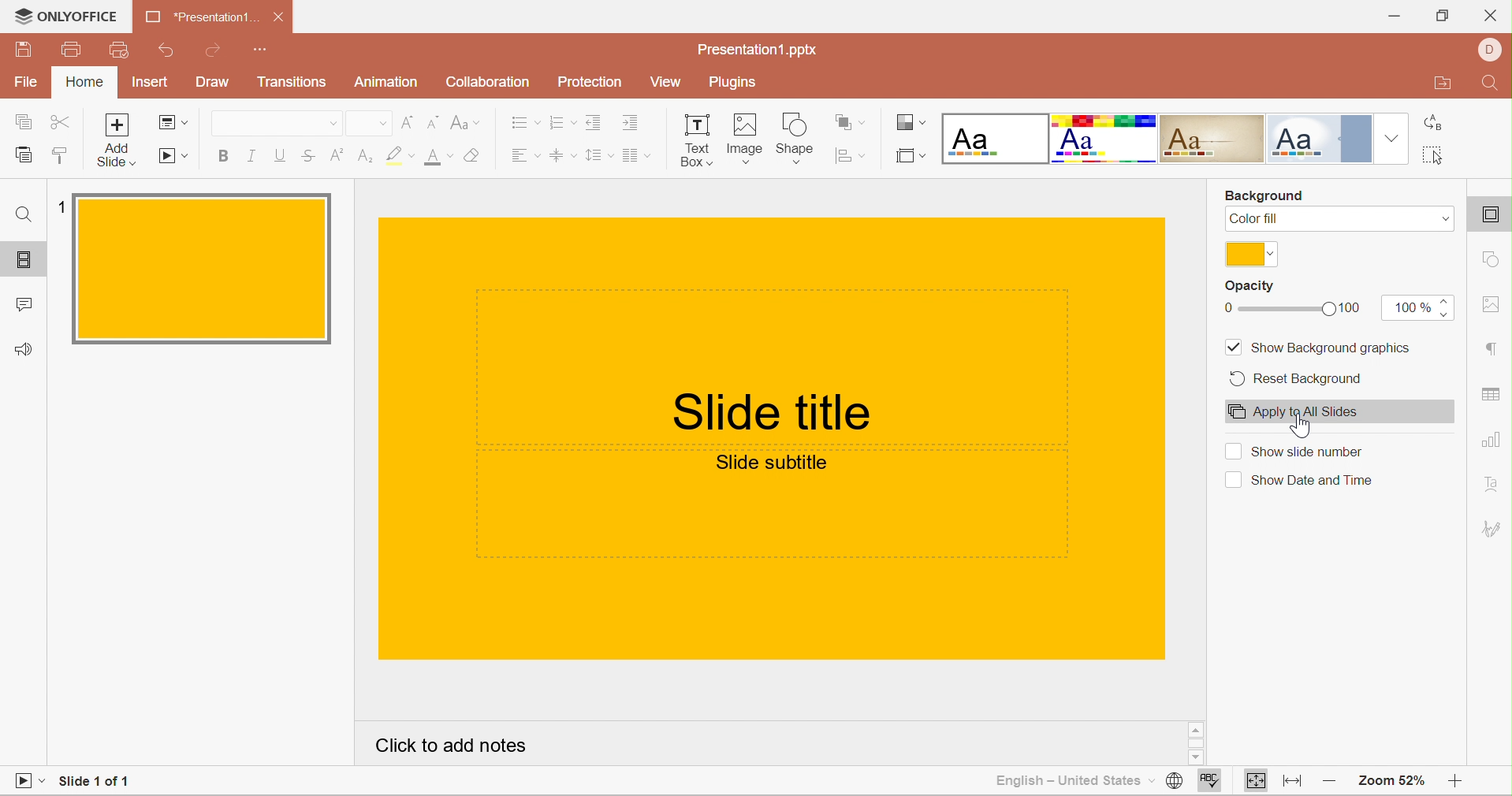  I want to click on Slides, so click(24, 260).